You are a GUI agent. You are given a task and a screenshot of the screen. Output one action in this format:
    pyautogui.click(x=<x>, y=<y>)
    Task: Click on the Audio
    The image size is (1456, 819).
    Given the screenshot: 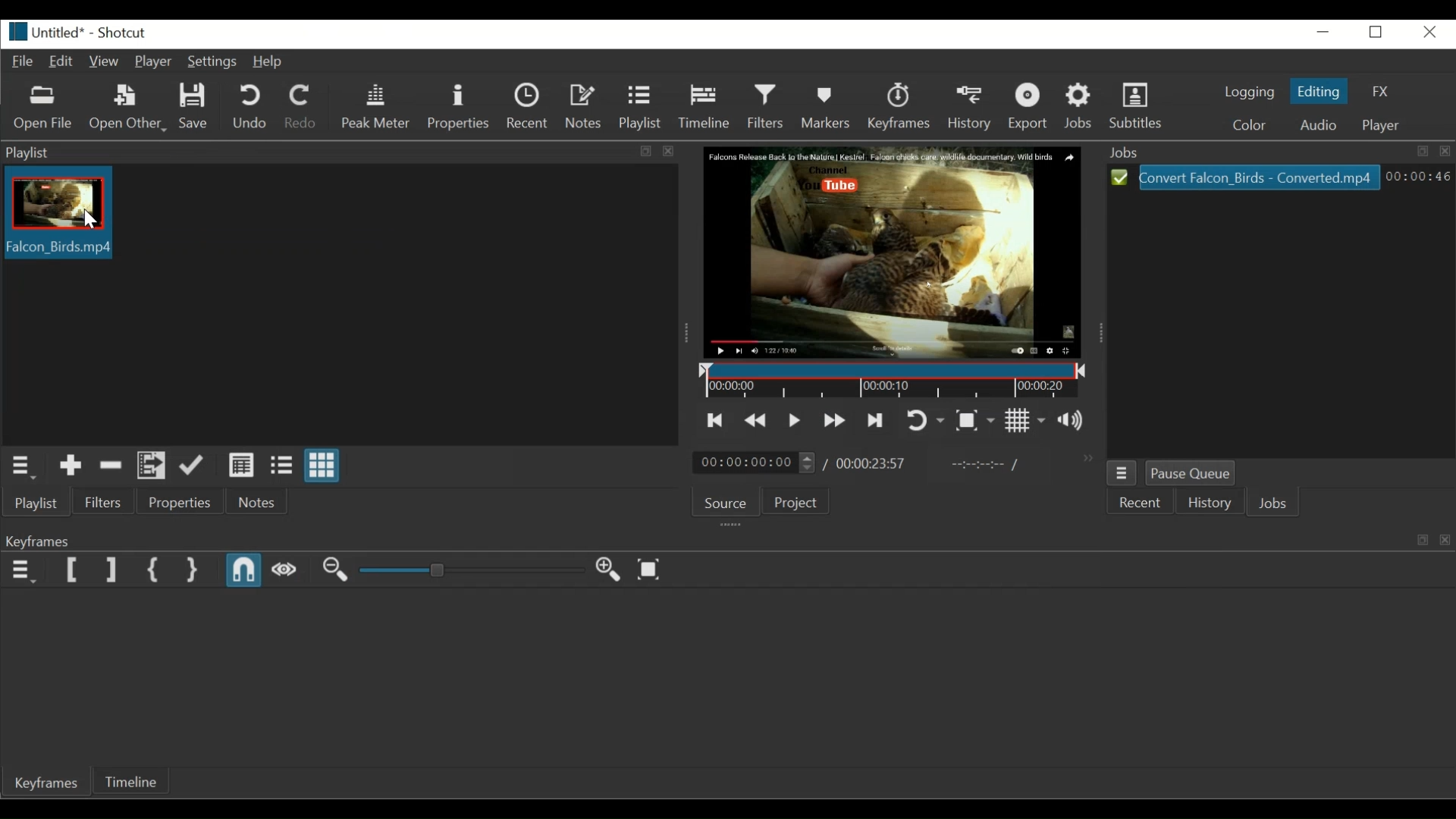 What is the action you would take?
    pyautogui.click(x=1316, y=125)
    